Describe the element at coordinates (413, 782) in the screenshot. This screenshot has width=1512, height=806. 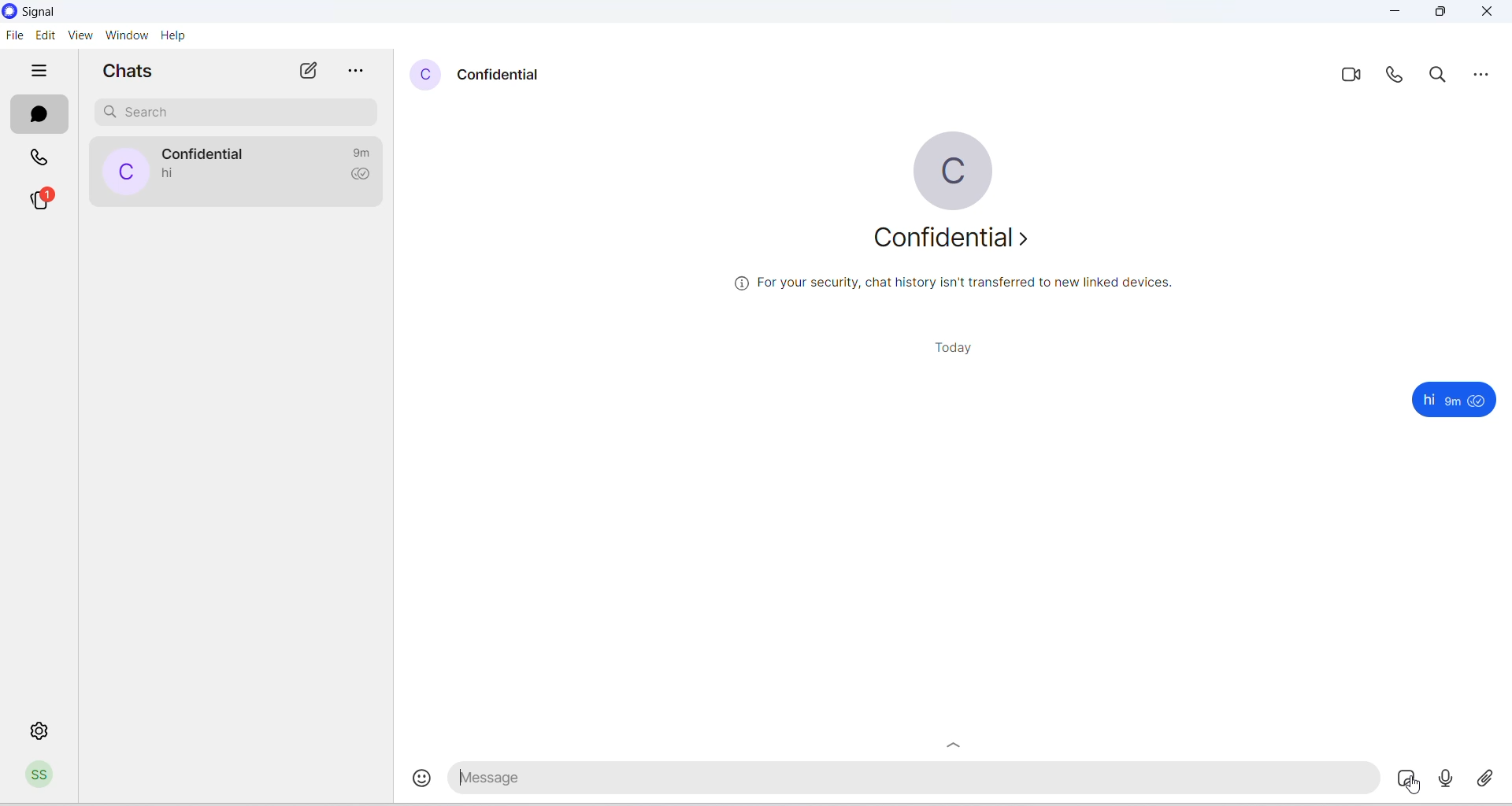
I see `emojis` at that location.